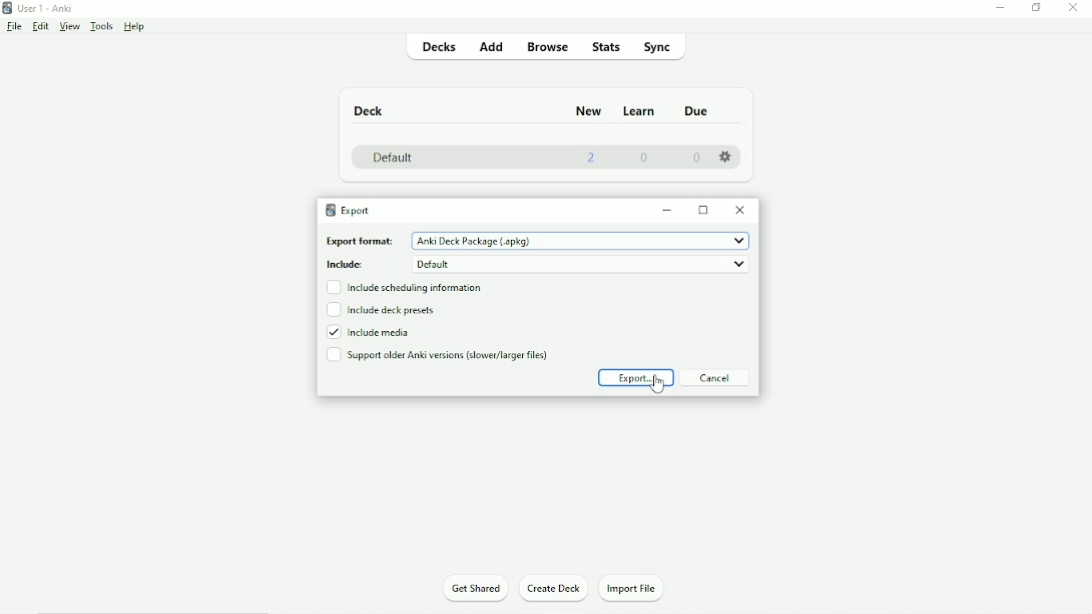  Describe the element at coordinates (635, 378) in the screenshot. I see `Export` at that location.